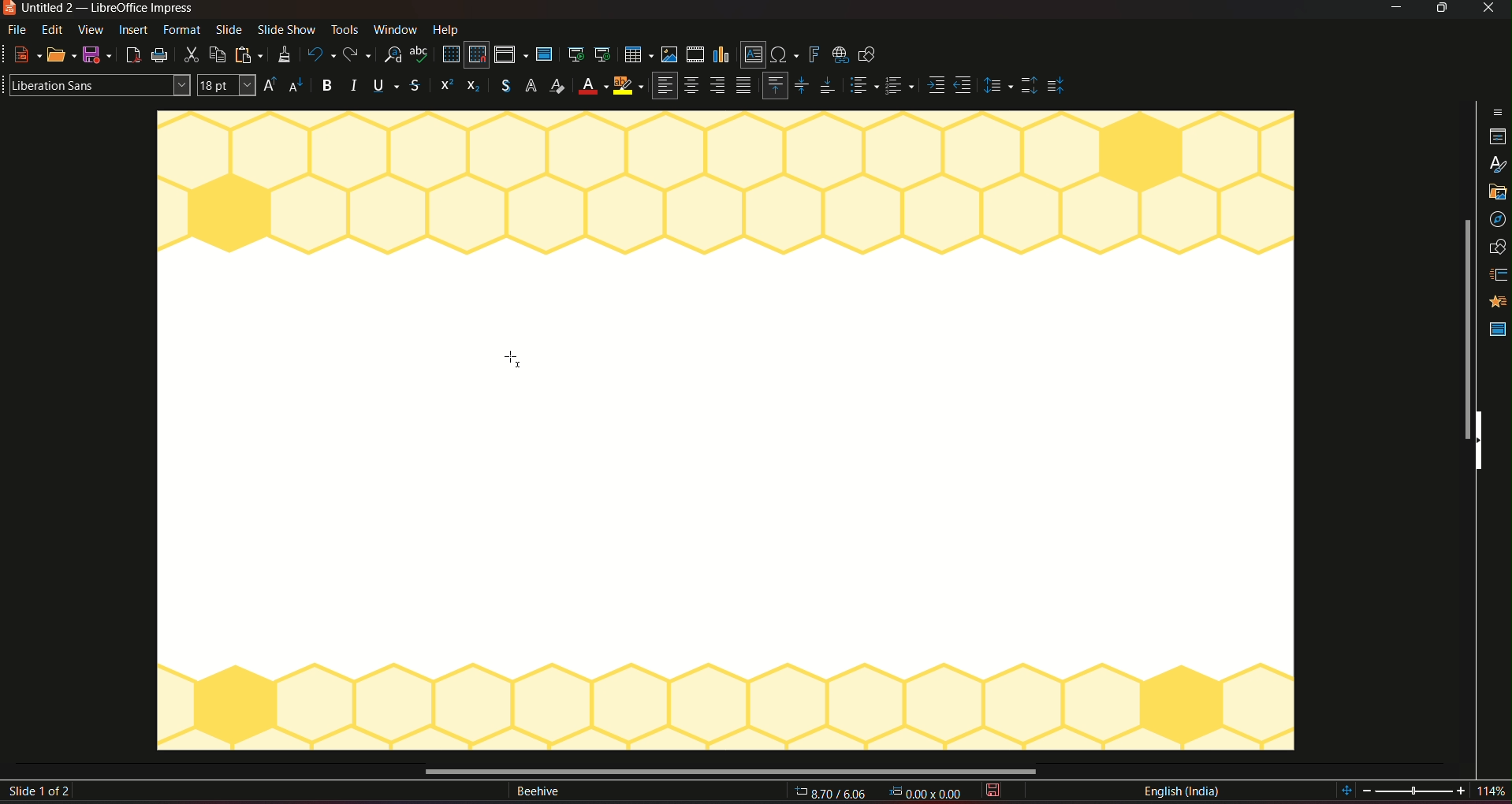 The width and height of the screenshot is (1512, 804). What do you see at coordinates (229, 86) in the screenshot?
I see `font size` at bounding box center [229, 86].